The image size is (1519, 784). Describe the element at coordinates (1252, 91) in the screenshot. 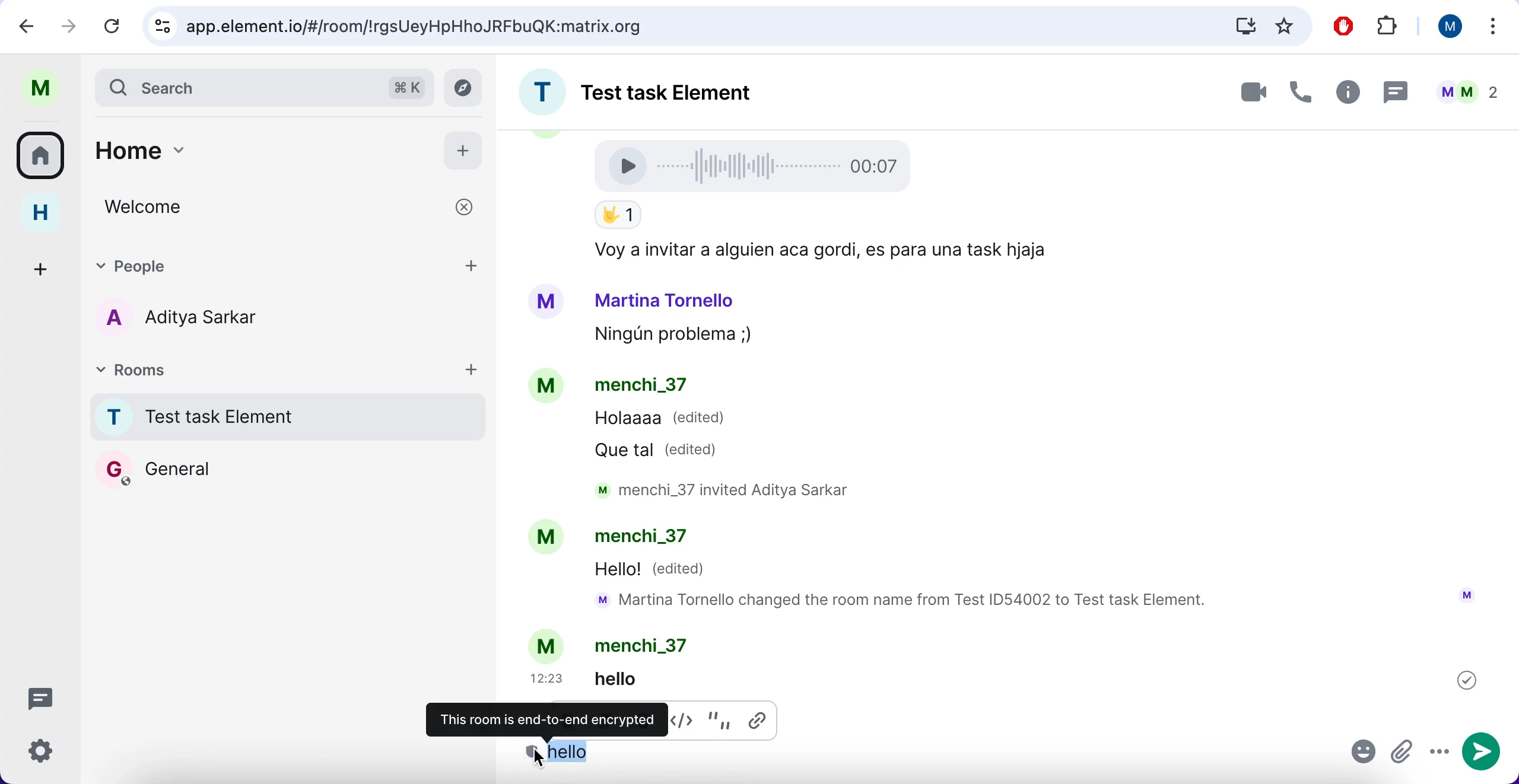

I see `videocall` at that location.